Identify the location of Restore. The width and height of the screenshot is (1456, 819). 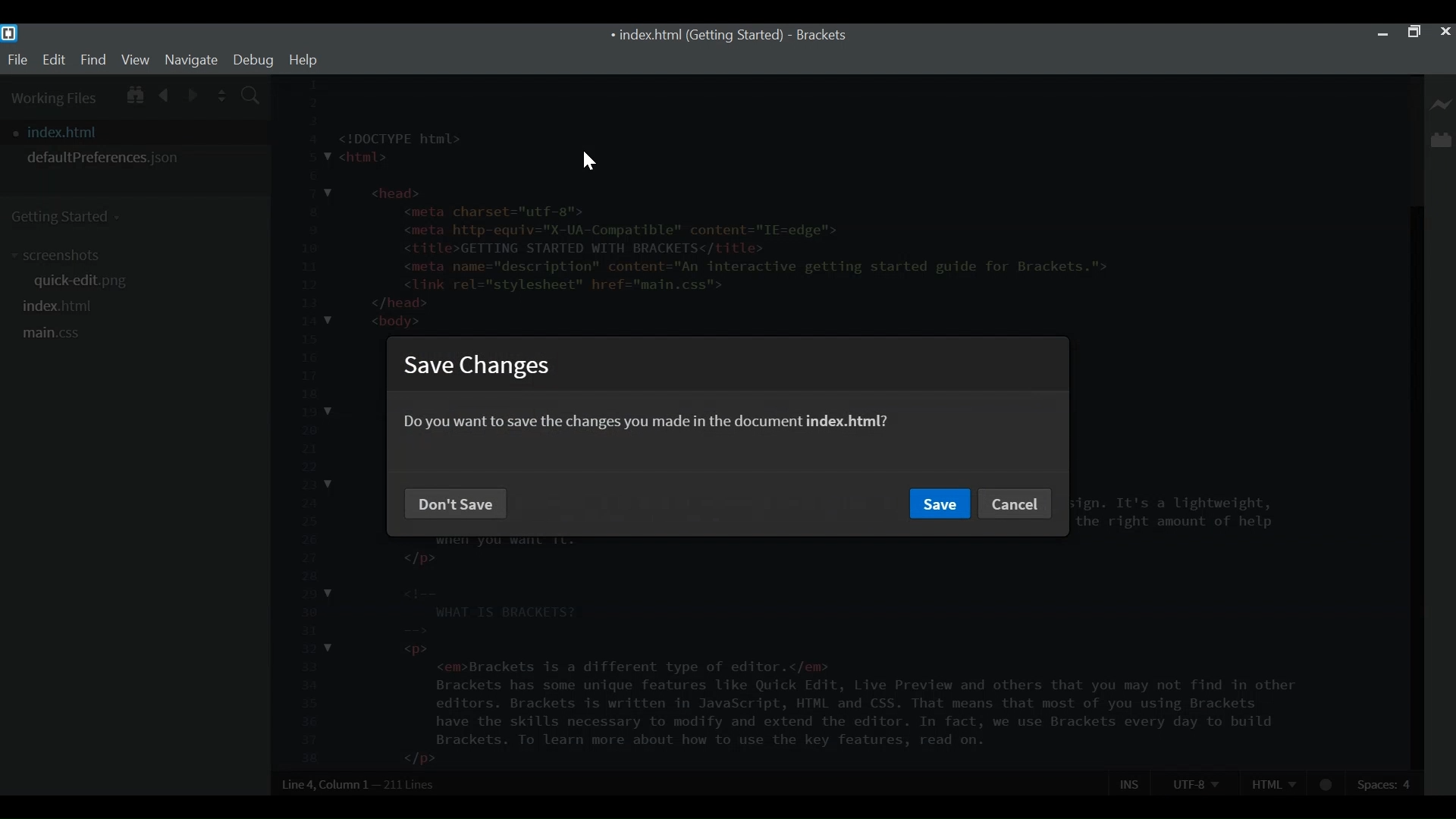
(1413, 33).